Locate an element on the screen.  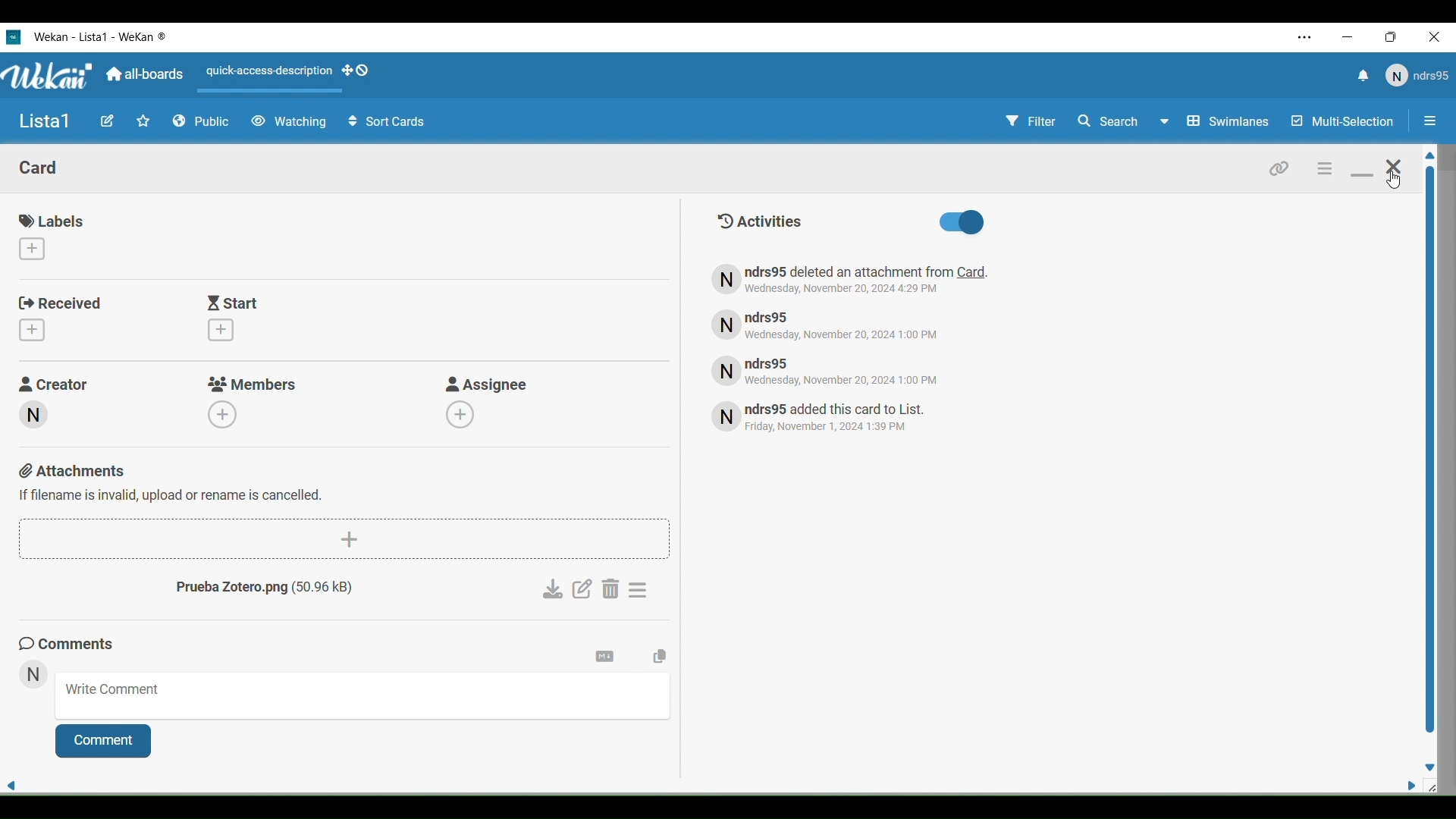
Settings is located at coordinates (599, 656).